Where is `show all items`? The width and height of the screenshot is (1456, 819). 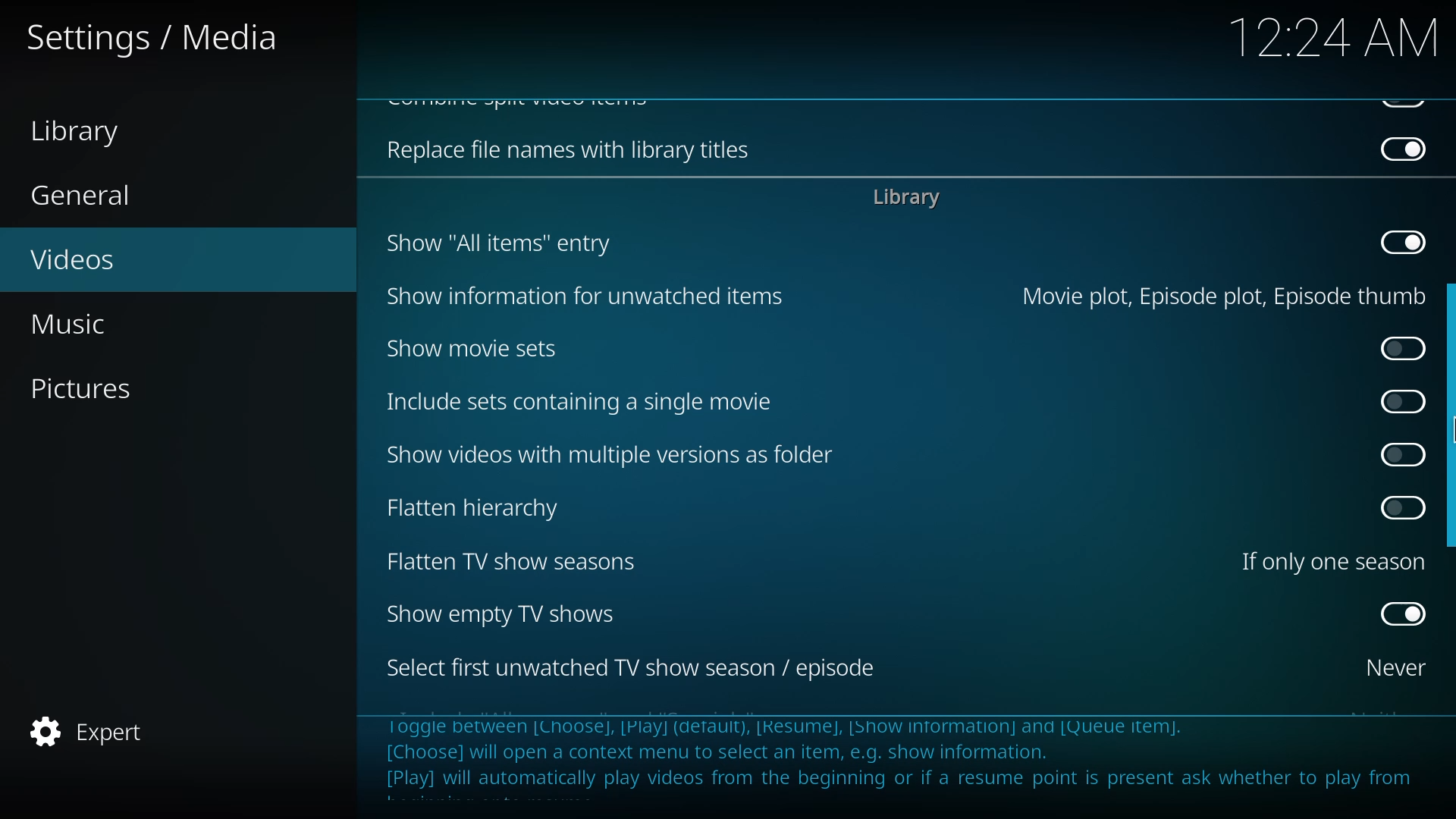
show all items is located at coordinates (496, 242).